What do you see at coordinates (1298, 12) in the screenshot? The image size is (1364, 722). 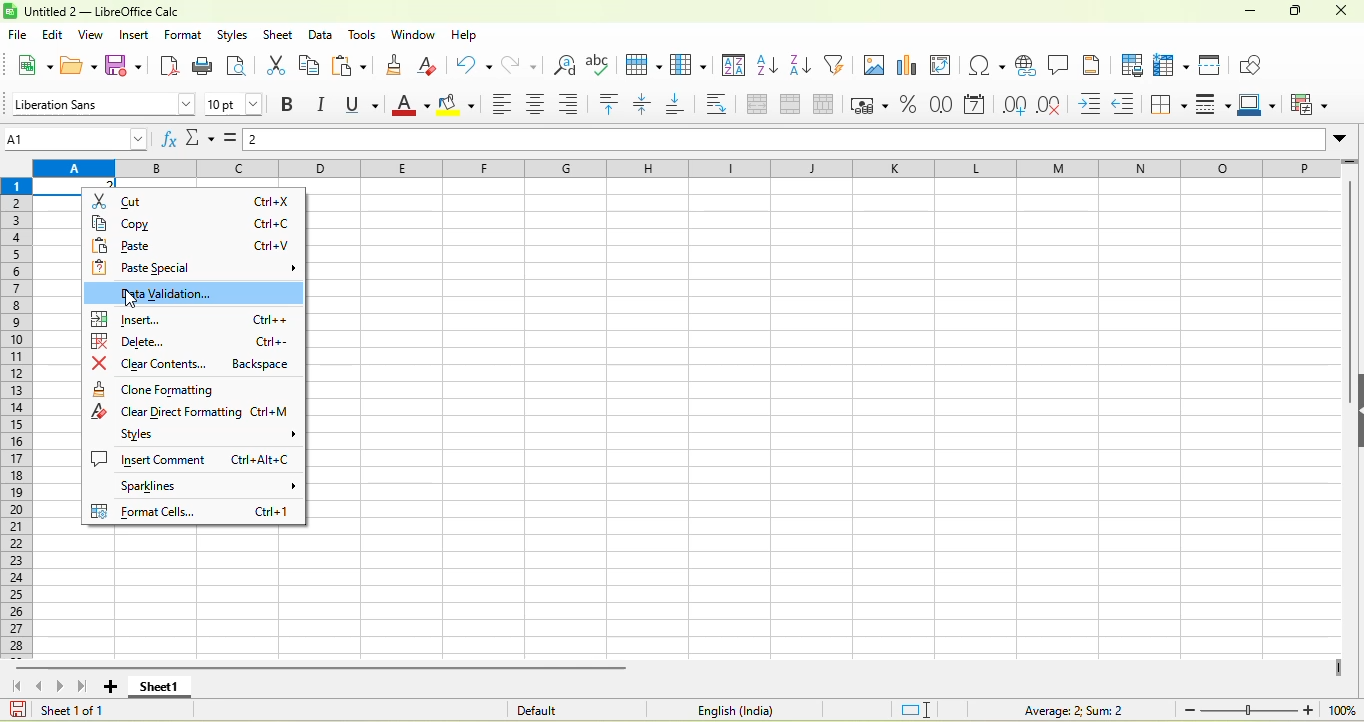 I see `maximize` at bounding box center [1298, 12].